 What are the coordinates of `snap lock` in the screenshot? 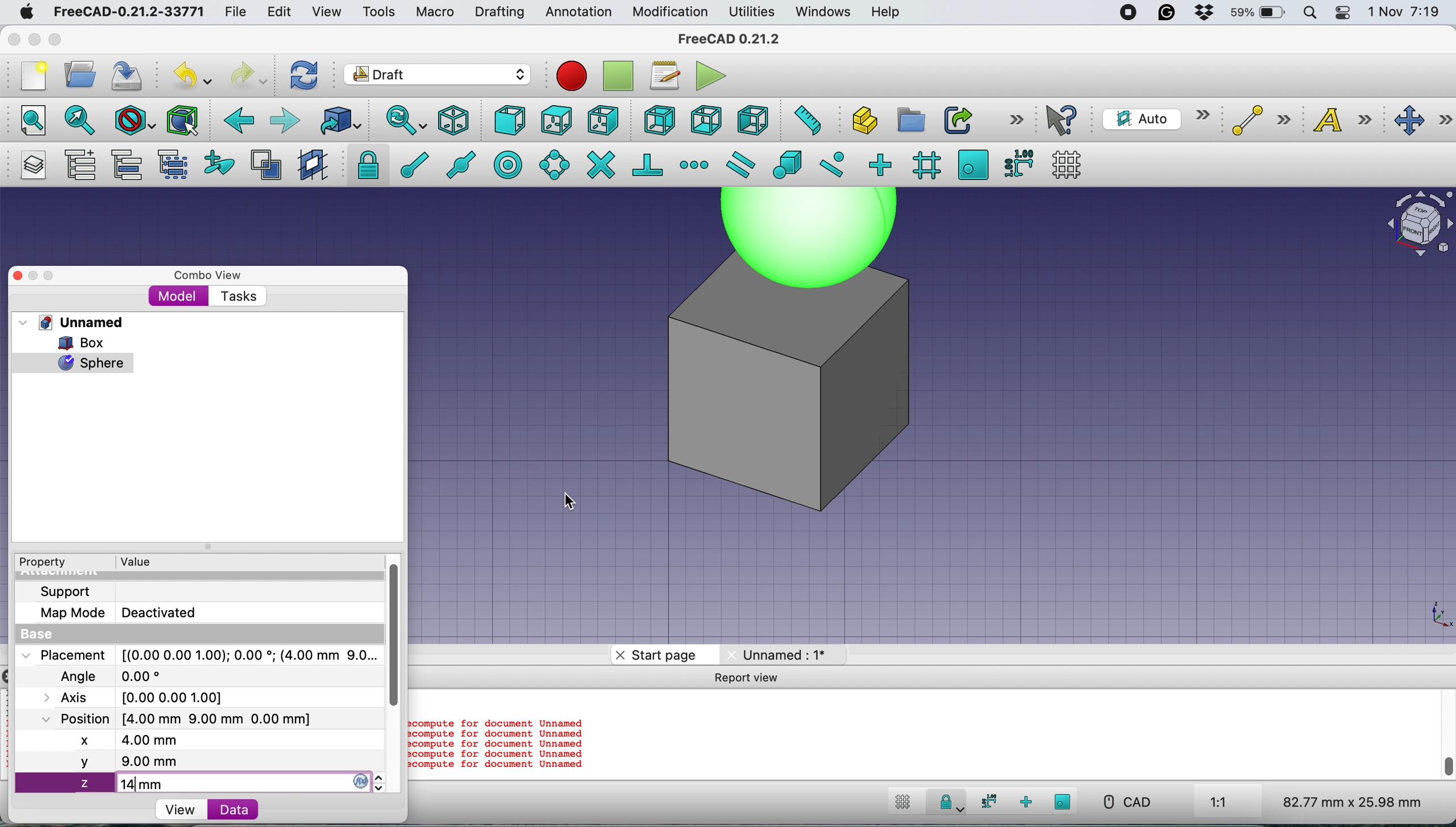 It's located at (946, 804).